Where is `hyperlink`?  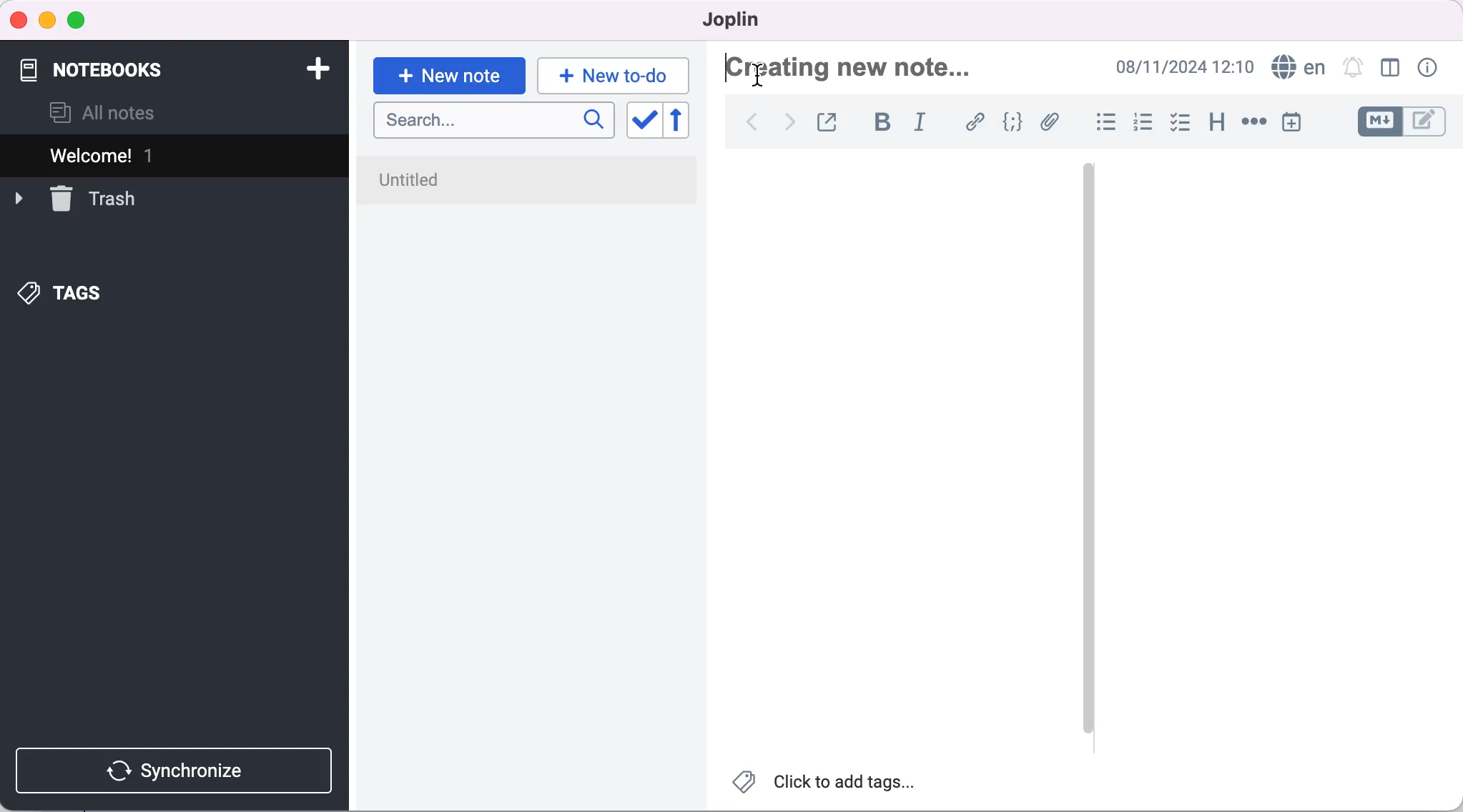
hyperlink is located at coordinates (970, 124).